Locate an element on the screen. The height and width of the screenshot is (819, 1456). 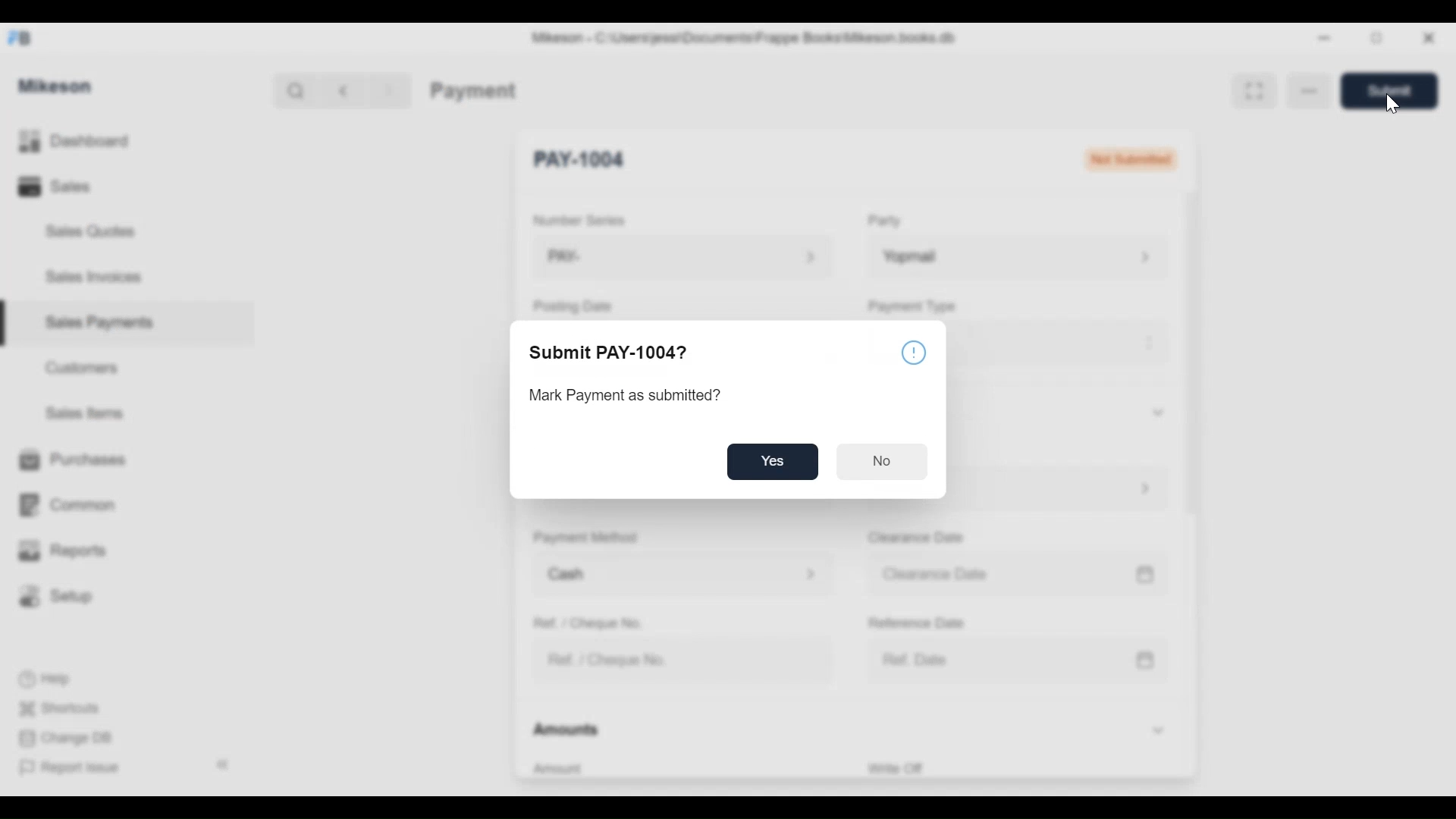
Mikeson is located at coordinates (56, 84).